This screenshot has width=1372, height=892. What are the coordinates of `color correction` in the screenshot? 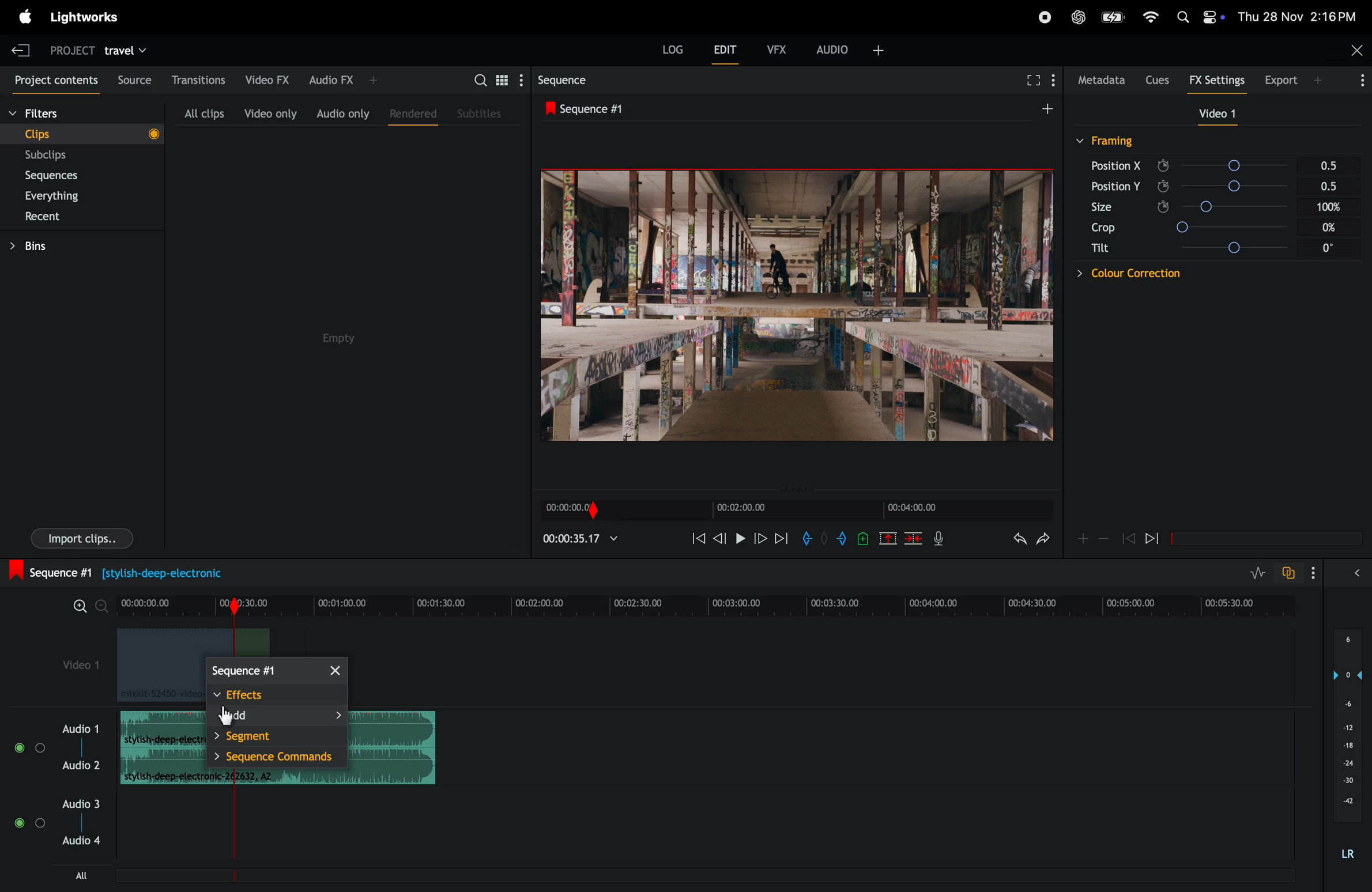 It's located at (1111, 274).